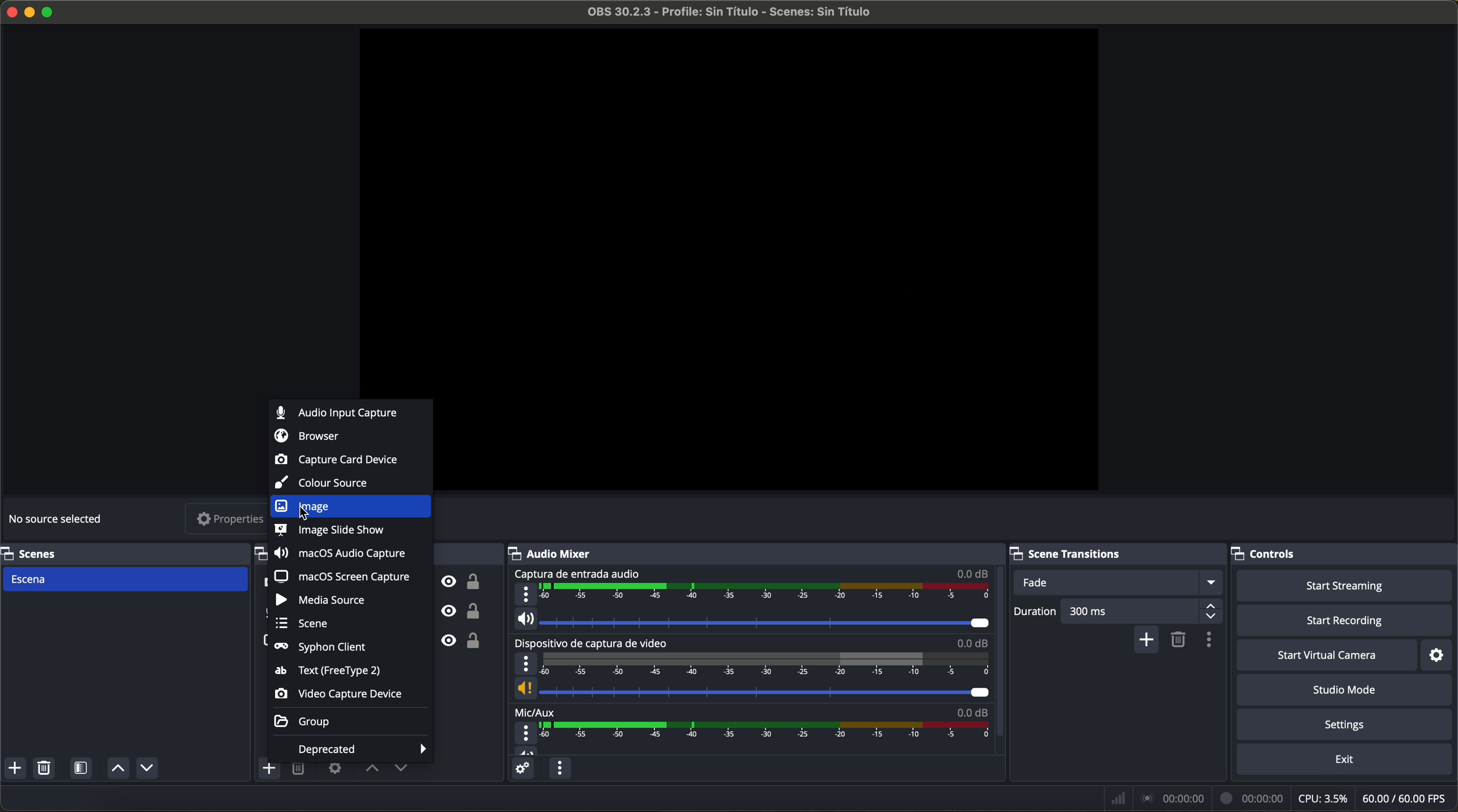 This screenshot has width=1458, height=812. Describe the element at coordinates (332, 530) in the screenshot. I see `image slide show` at that location.